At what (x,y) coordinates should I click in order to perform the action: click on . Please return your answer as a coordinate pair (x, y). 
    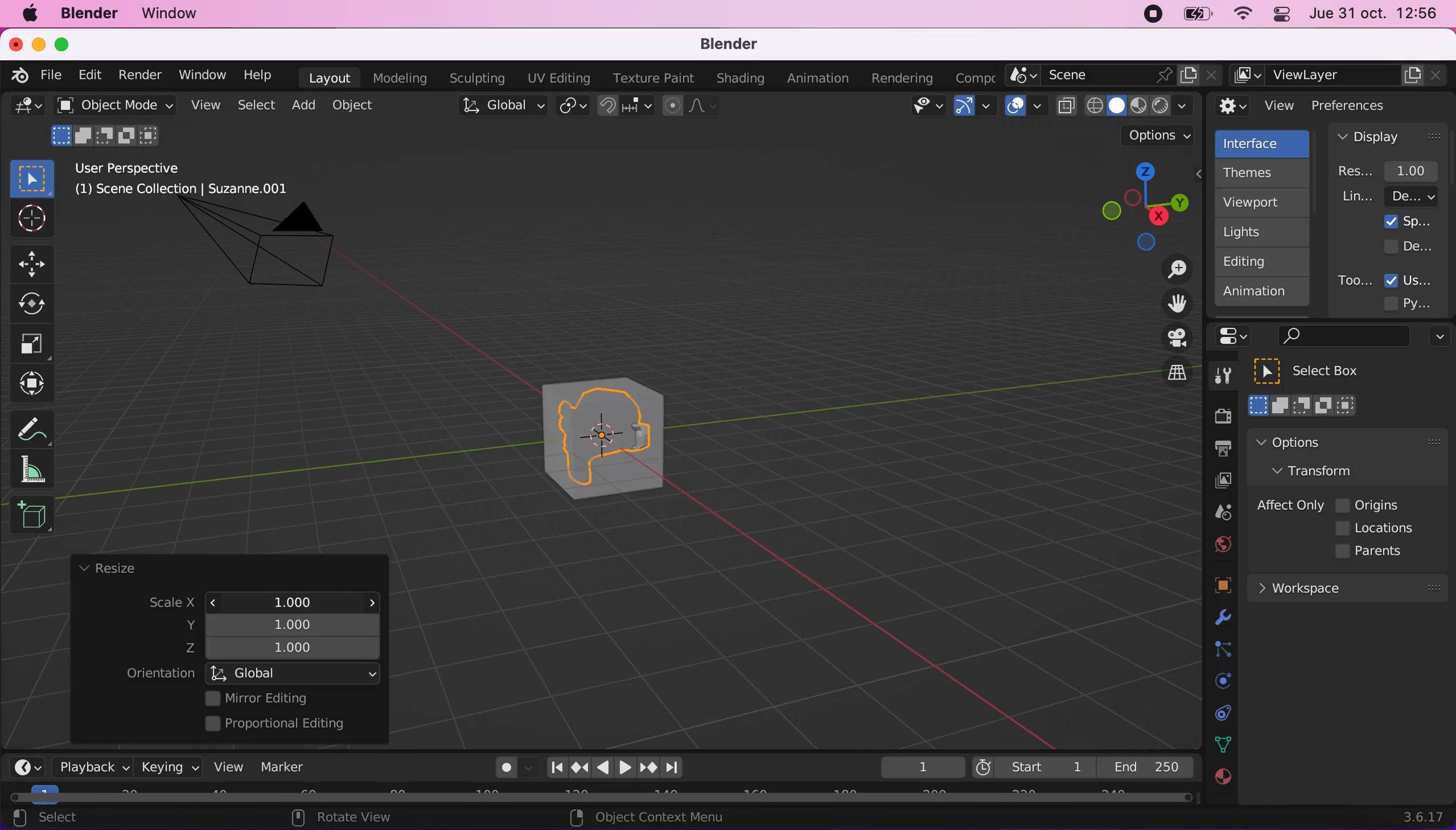
    Looking at the image, I should click on (37, 262).